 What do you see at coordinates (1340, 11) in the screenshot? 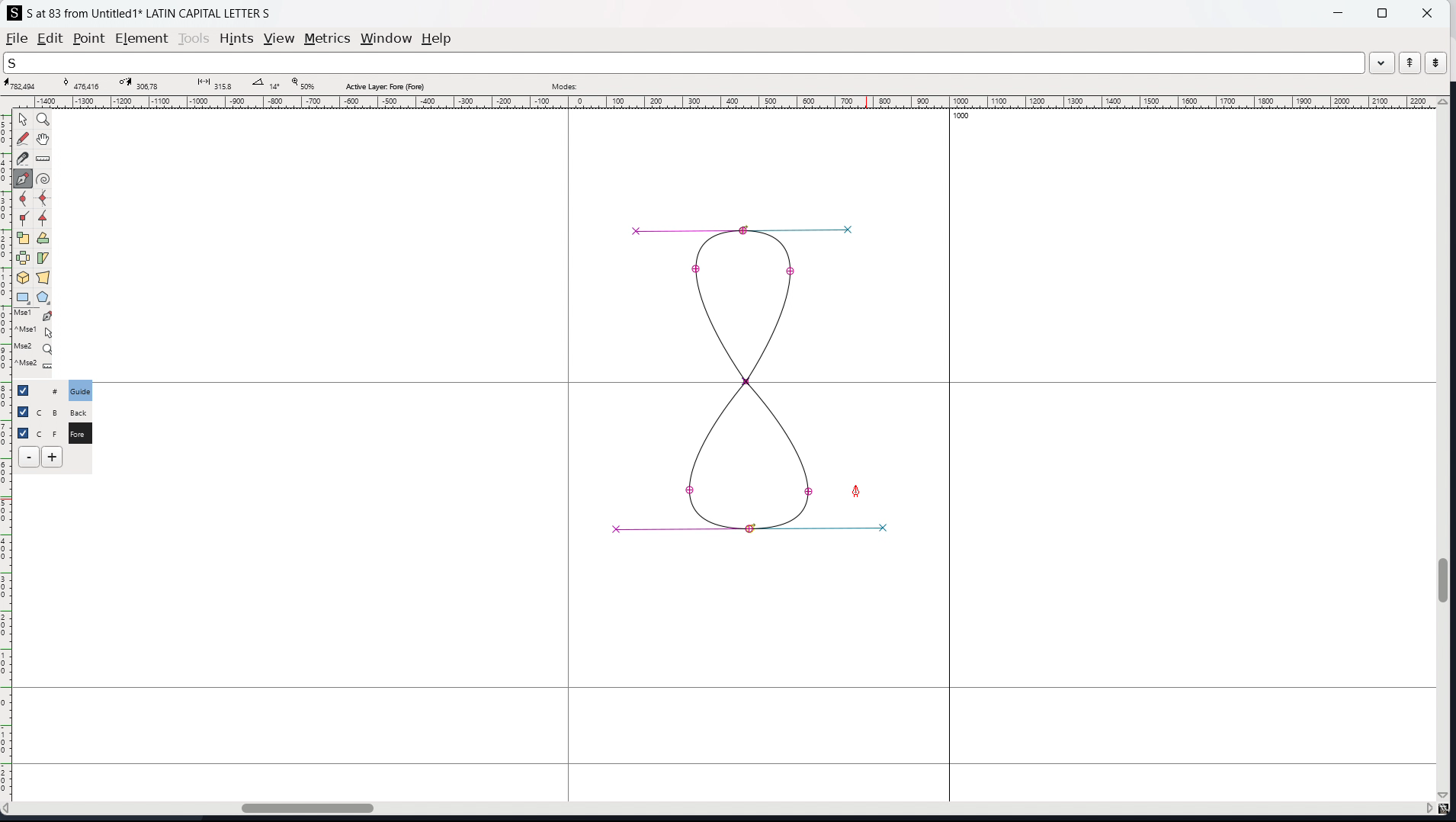
I see `minimize` at bounding box center [1340, 11].